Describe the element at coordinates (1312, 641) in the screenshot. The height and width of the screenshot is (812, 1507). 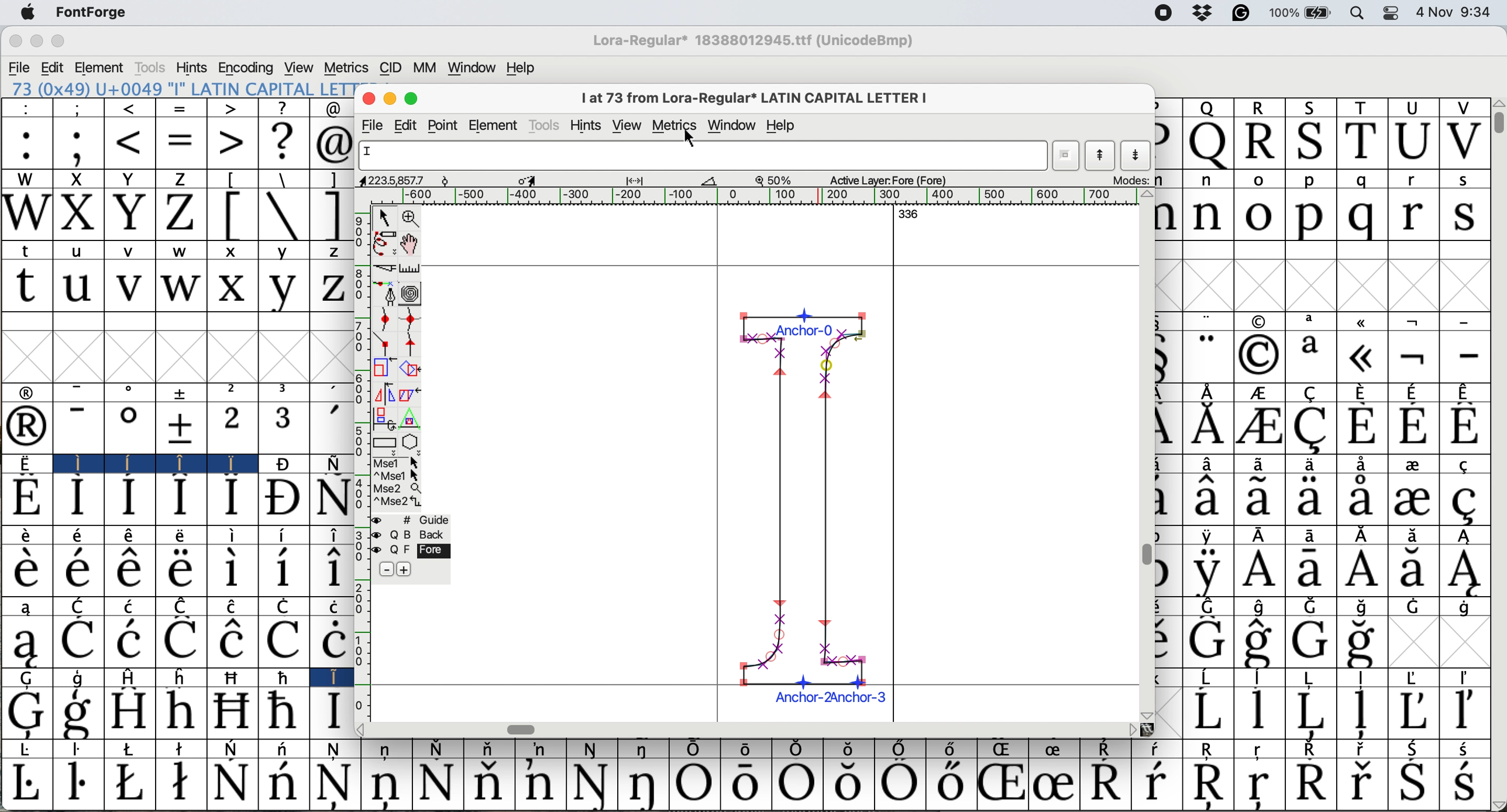
I see `Symbol` at that location.